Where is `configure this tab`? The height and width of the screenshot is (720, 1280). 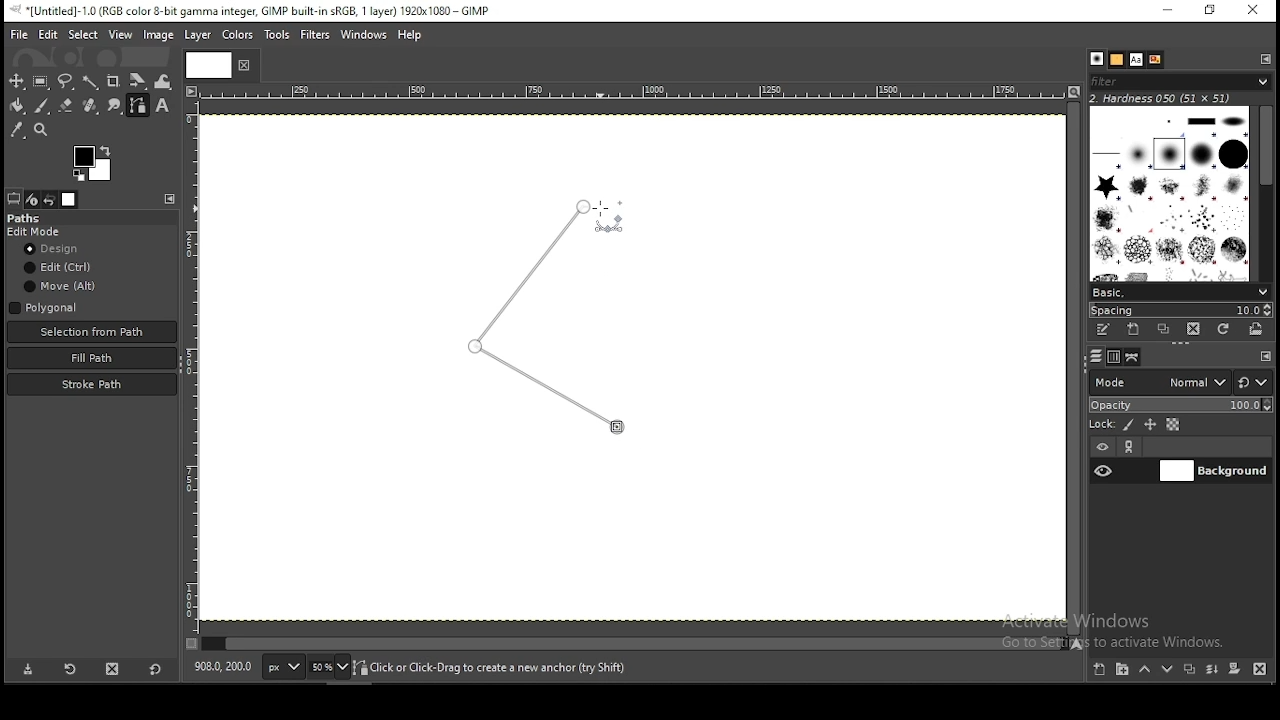
configure this tab is located at coordinates (1262, 60).